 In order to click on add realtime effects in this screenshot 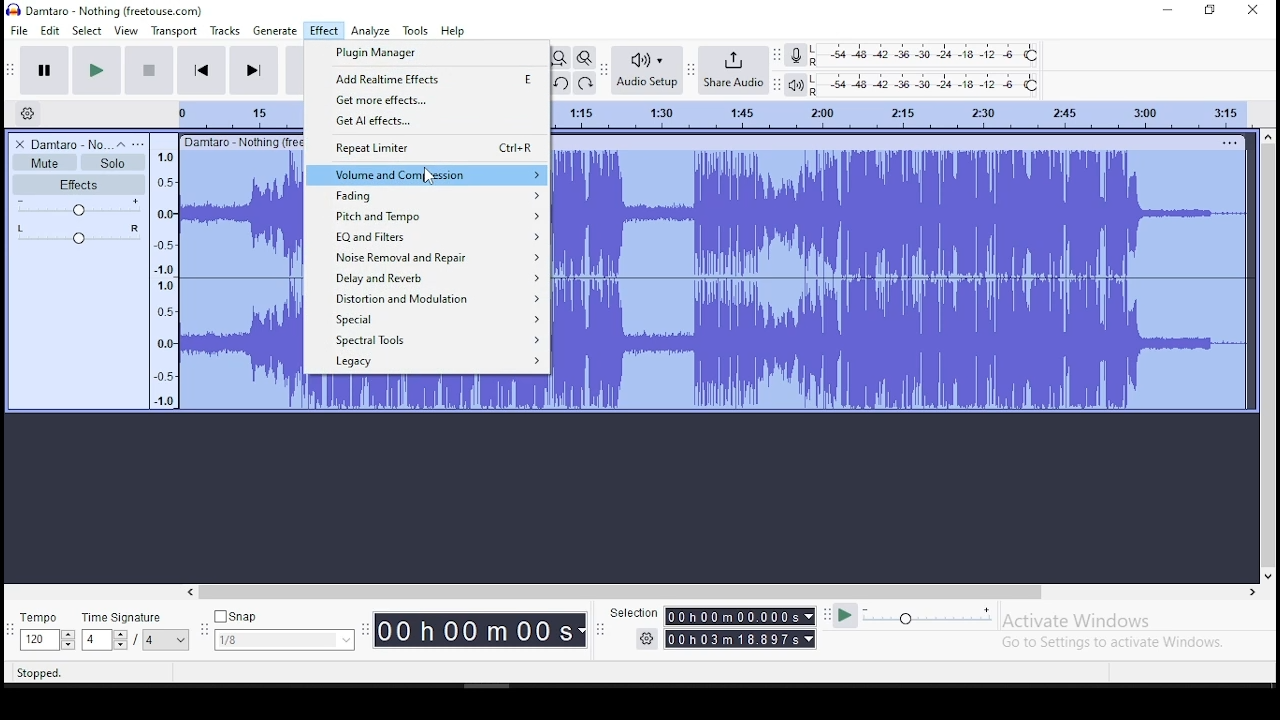, I will do `click(429, 79)`.